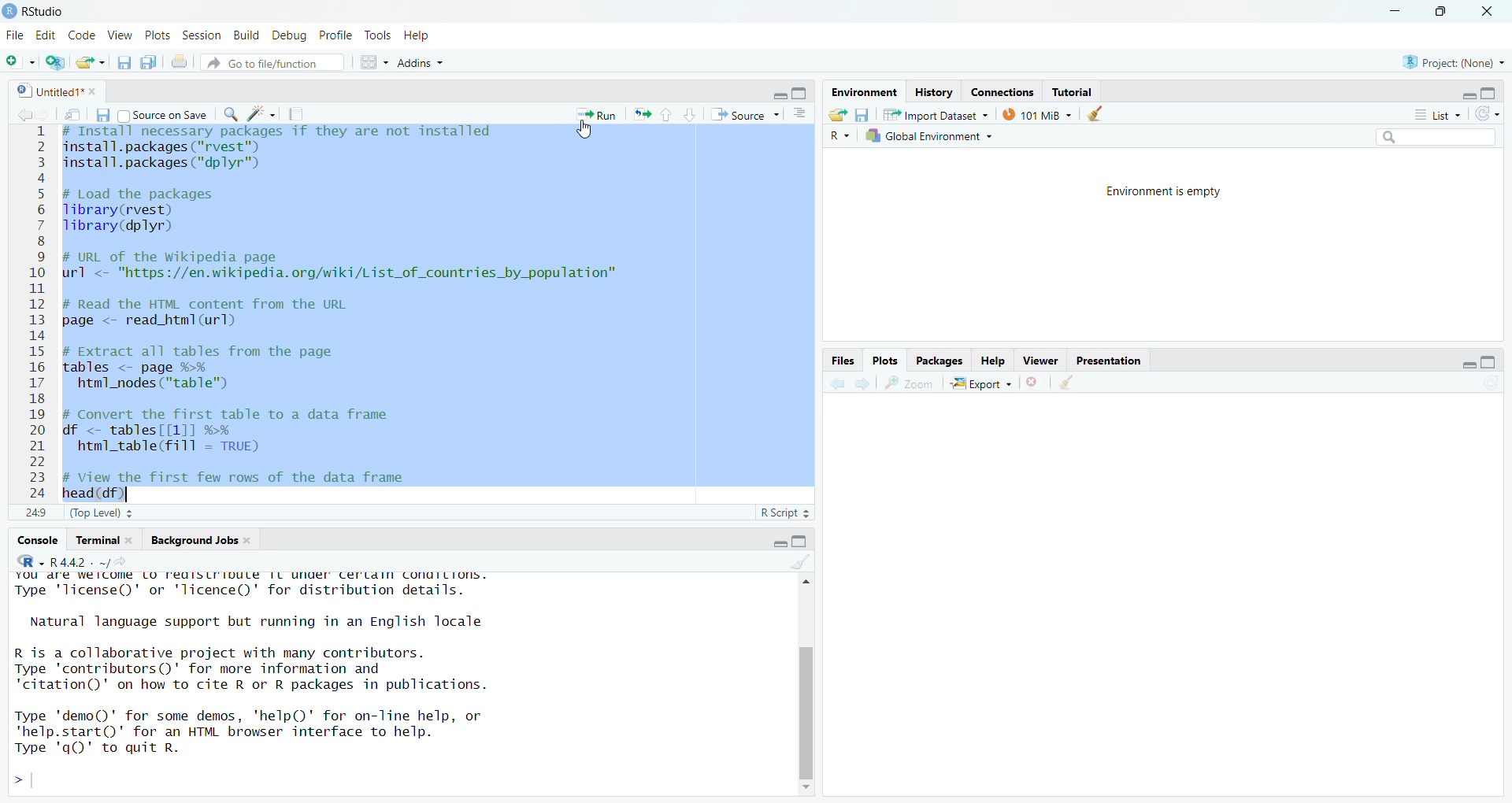  What do you see at coordinates (806, 711) in the screenshot?
I see `scroll bar` at bounding box center [806, 711].